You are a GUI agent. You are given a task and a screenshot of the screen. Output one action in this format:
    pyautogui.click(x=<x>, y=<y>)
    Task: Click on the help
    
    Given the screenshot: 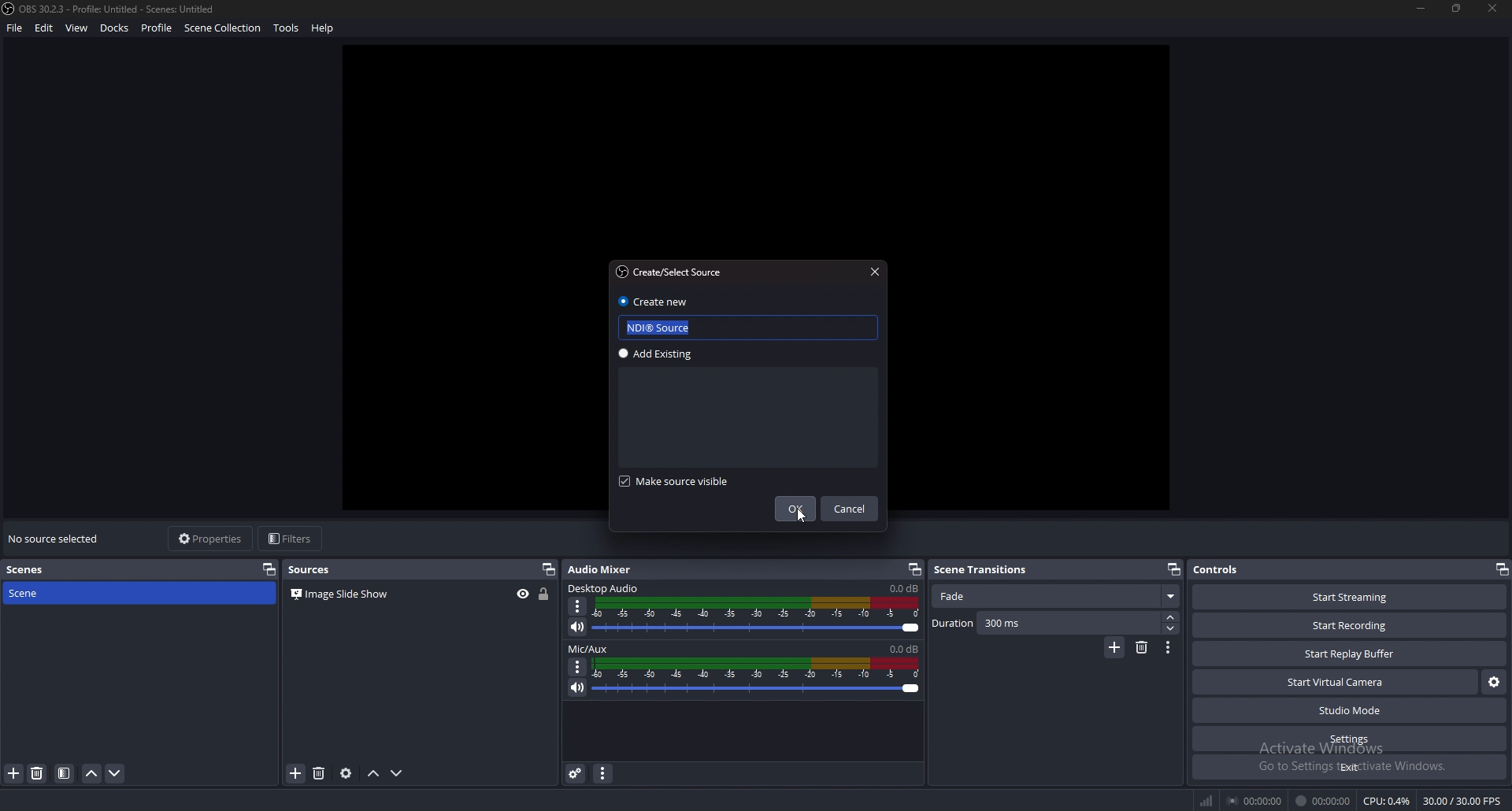 What is the action you would take?
    pyautogui.click(x=324, y=28)
    